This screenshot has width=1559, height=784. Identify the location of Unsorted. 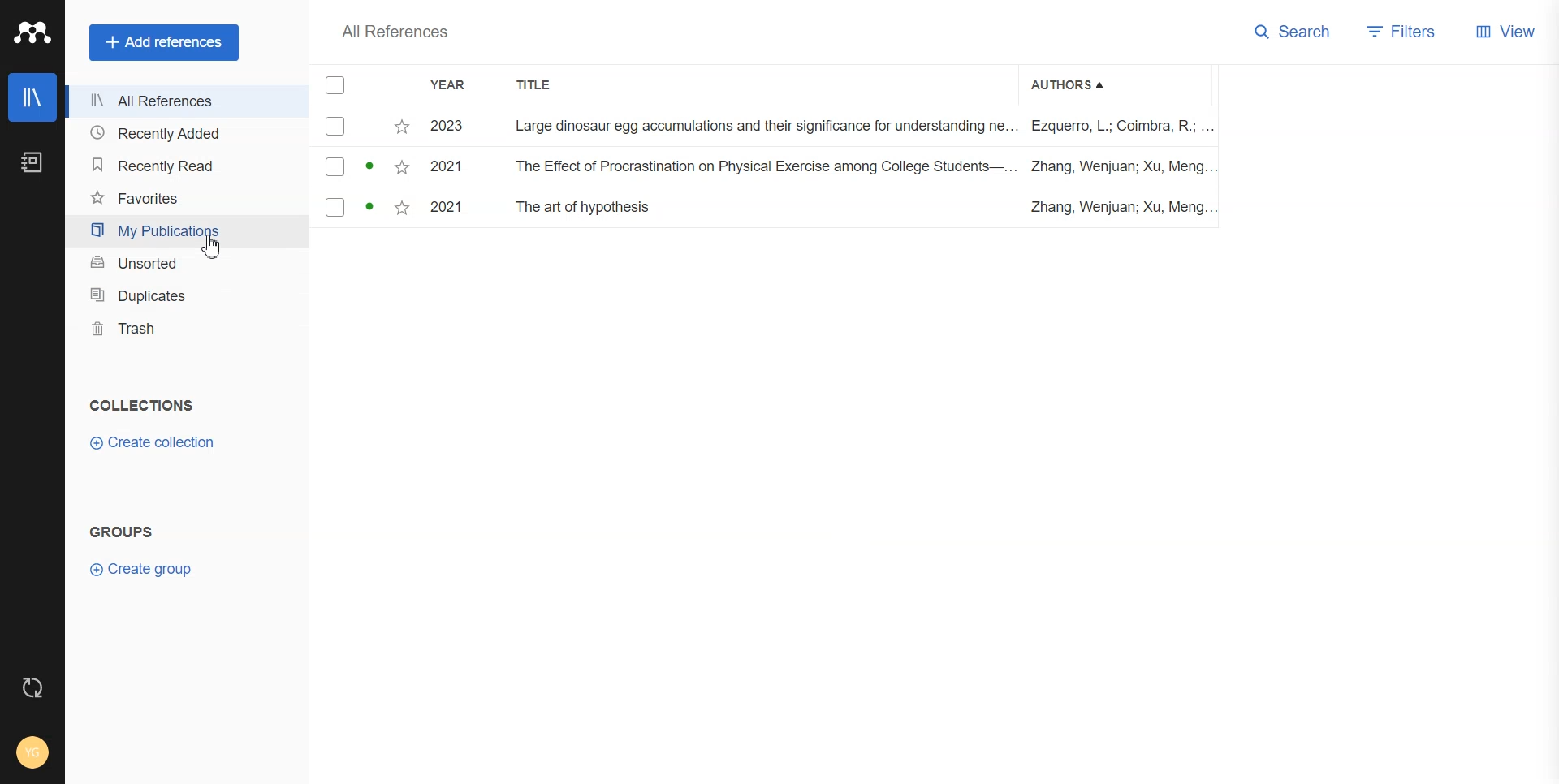
(182, 264).